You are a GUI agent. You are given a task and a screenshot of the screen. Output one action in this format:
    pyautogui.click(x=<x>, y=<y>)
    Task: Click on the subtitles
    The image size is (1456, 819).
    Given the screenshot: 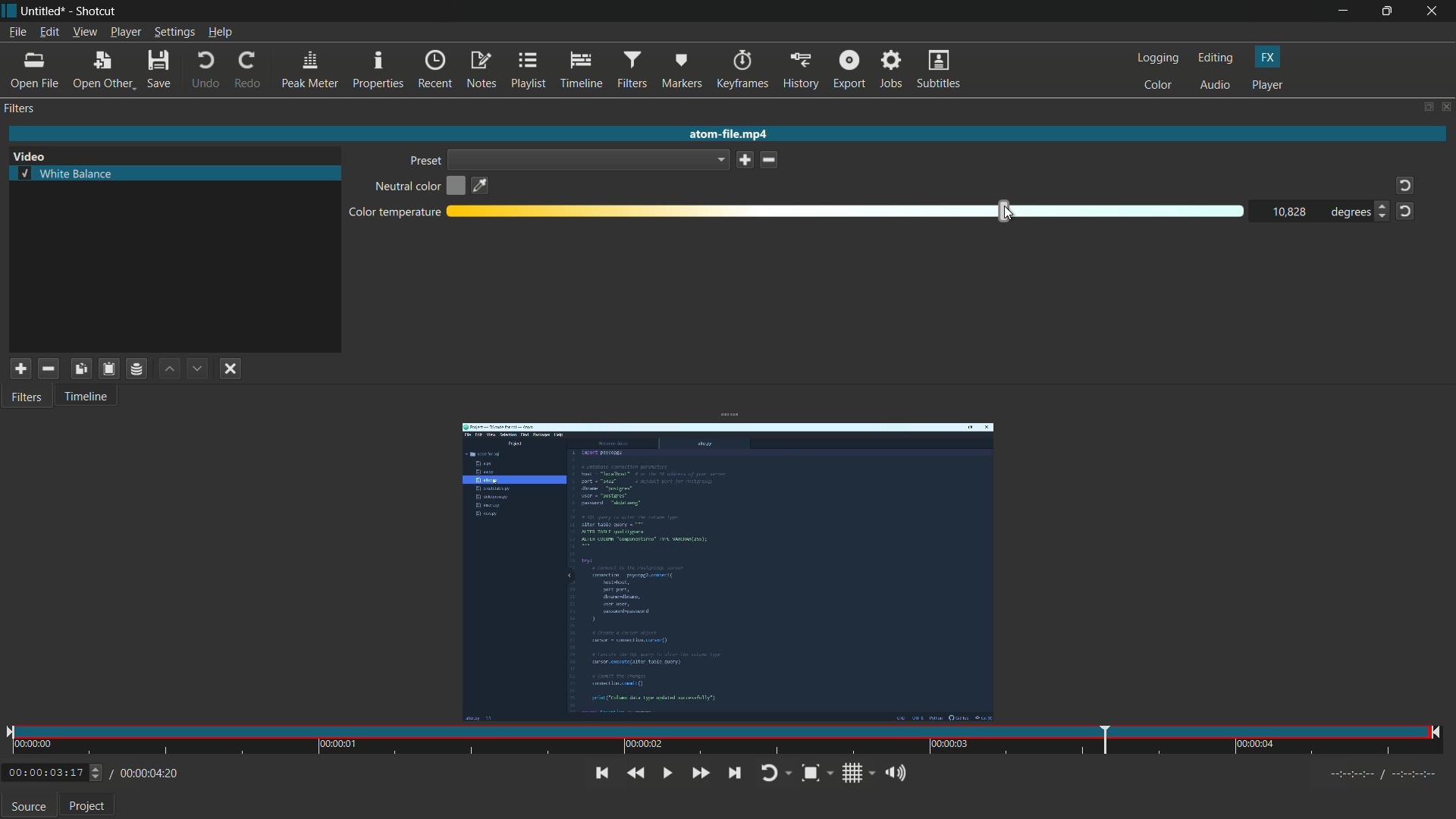 What is the action you would take?
    pyautogui.click(x=939, y=68)
    